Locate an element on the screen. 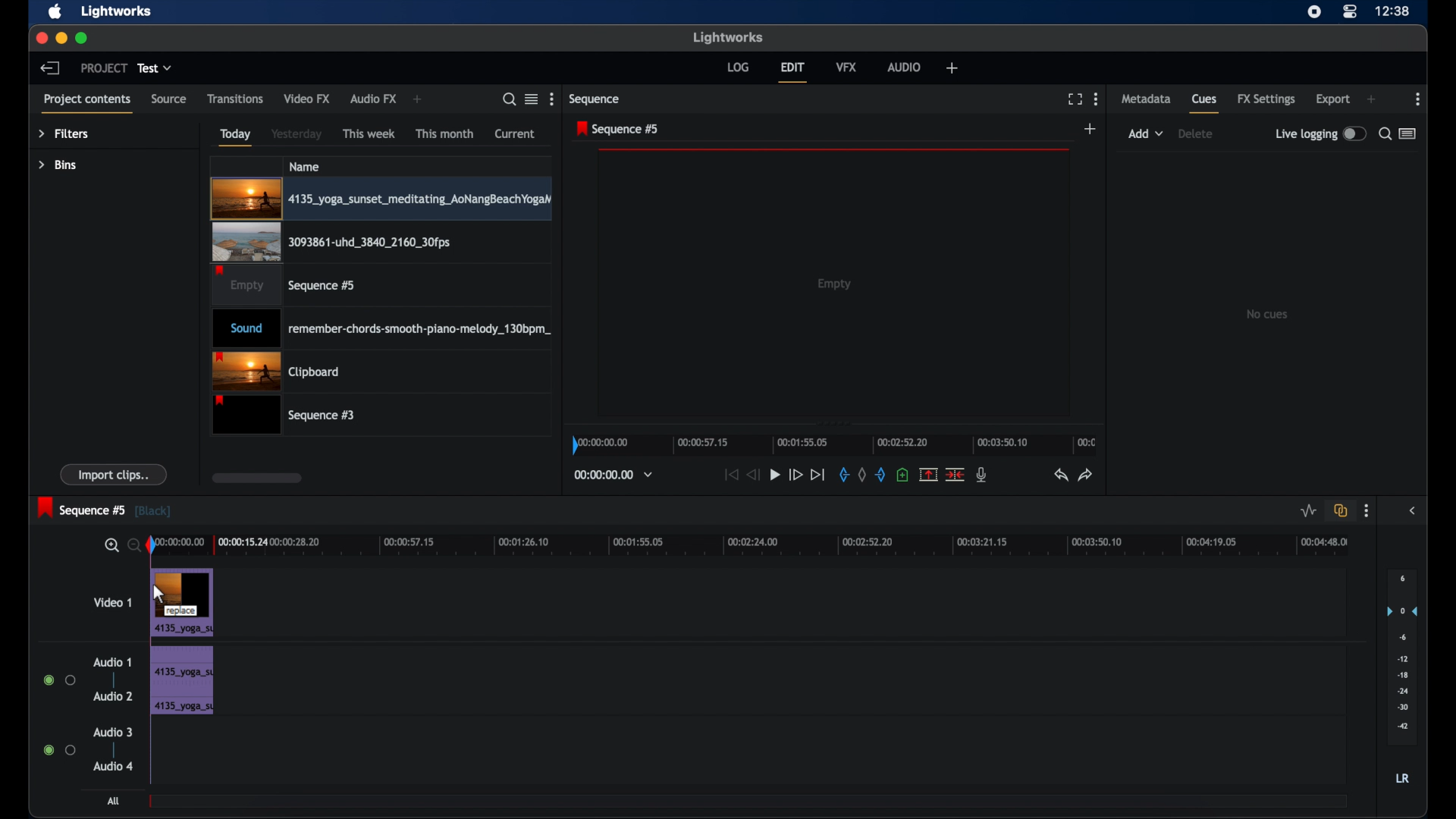  edit is located at coordinates (792, 71).